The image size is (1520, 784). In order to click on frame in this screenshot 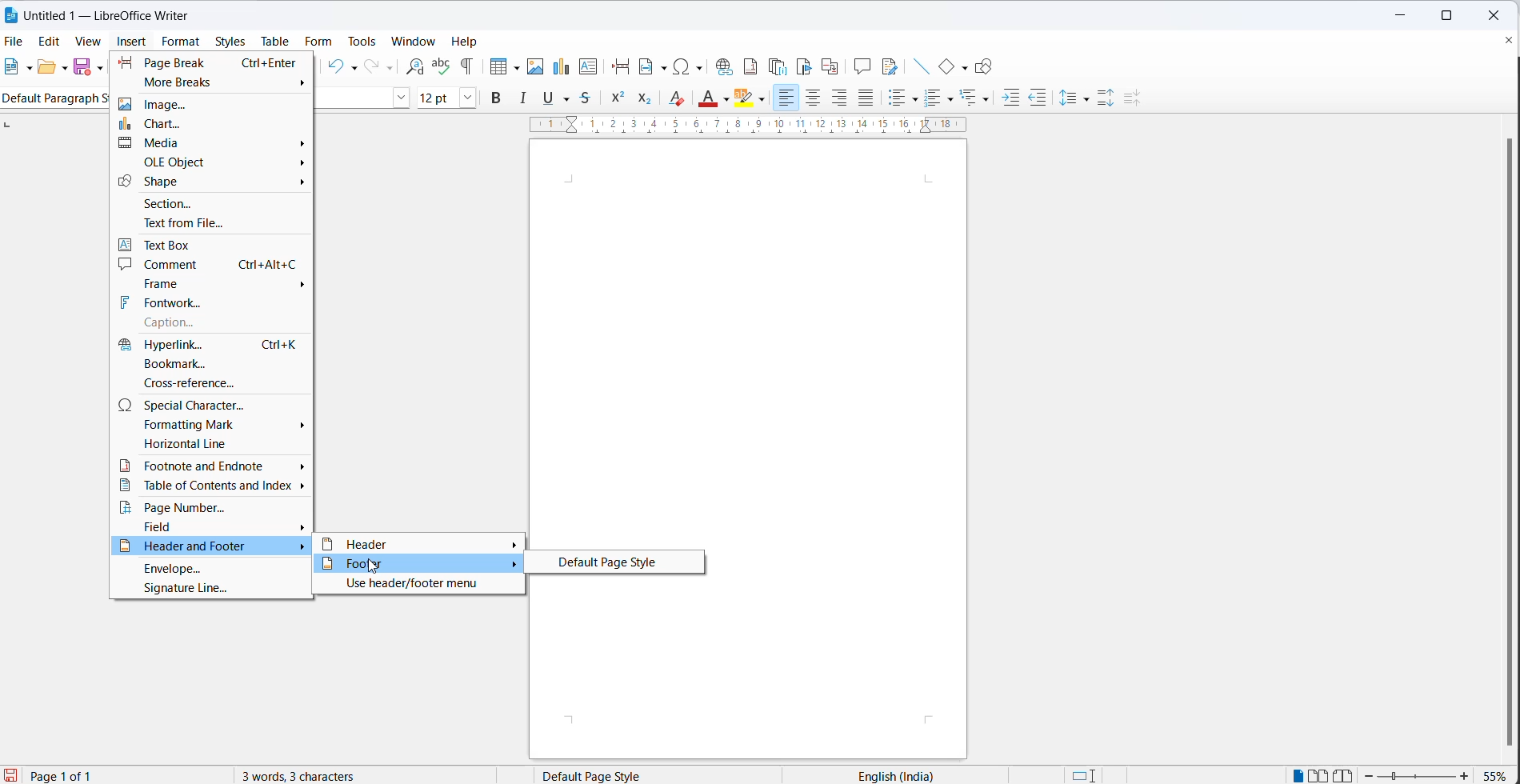, I will do `click(210, 286)`.